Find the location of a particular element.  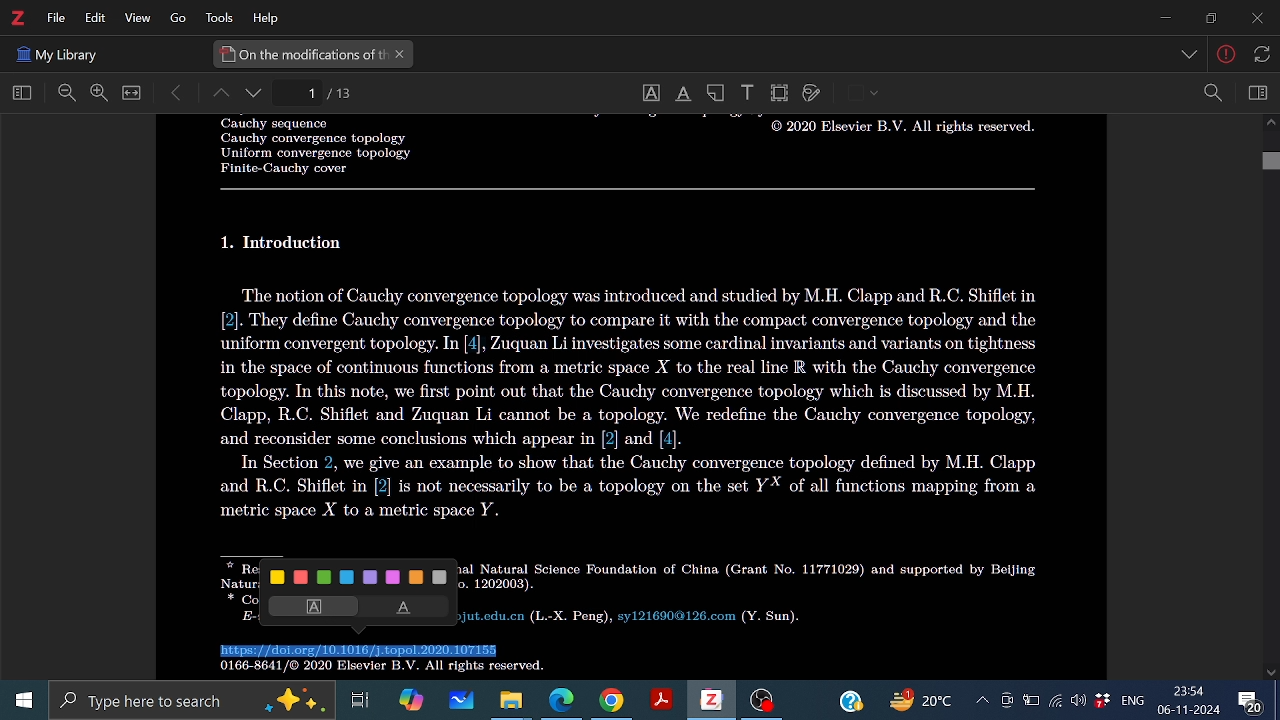

Internet access is located at coordinates (1056, 701).